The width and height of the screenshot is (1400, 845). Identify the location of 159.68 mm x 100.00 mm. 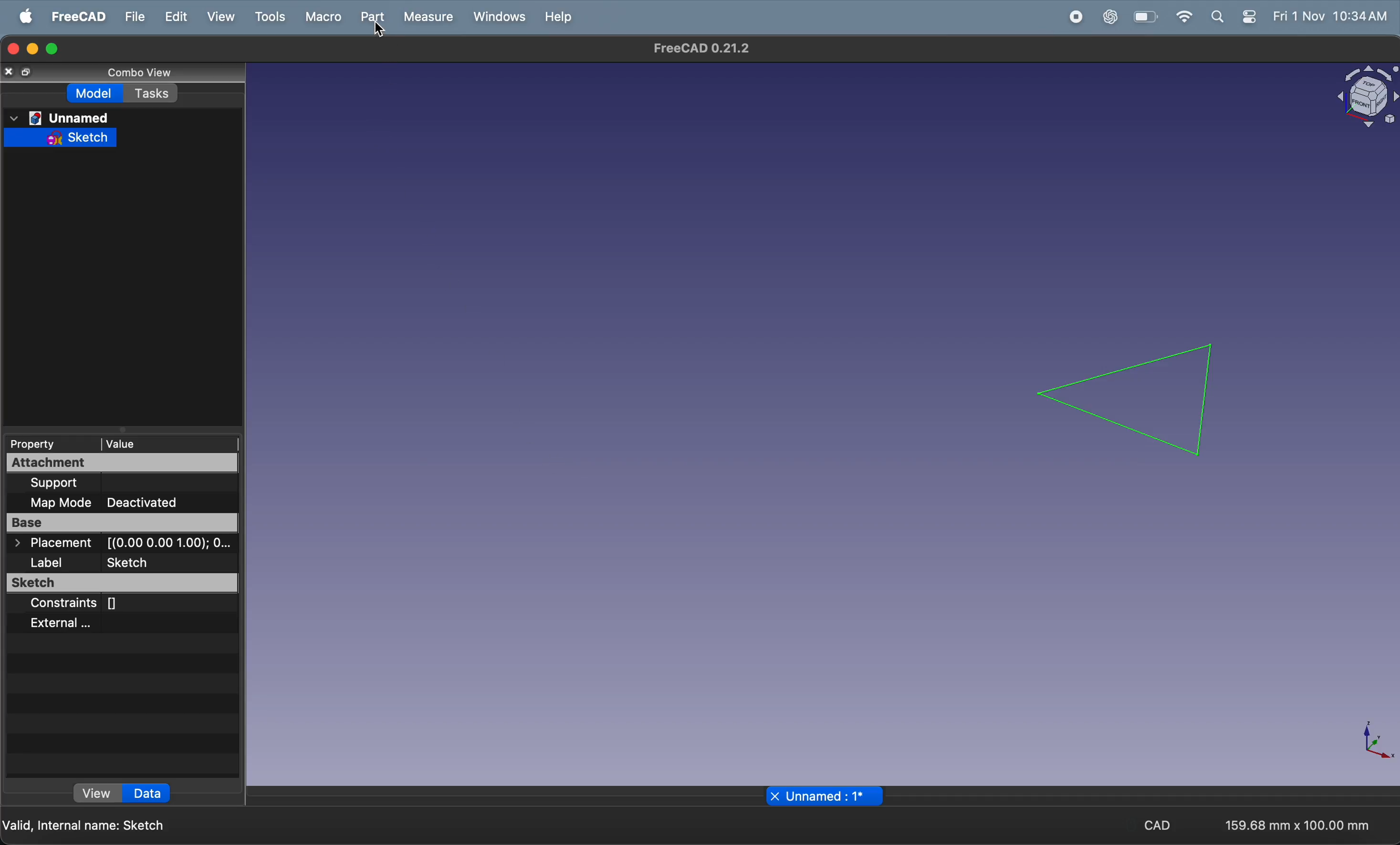
(1296, 826).